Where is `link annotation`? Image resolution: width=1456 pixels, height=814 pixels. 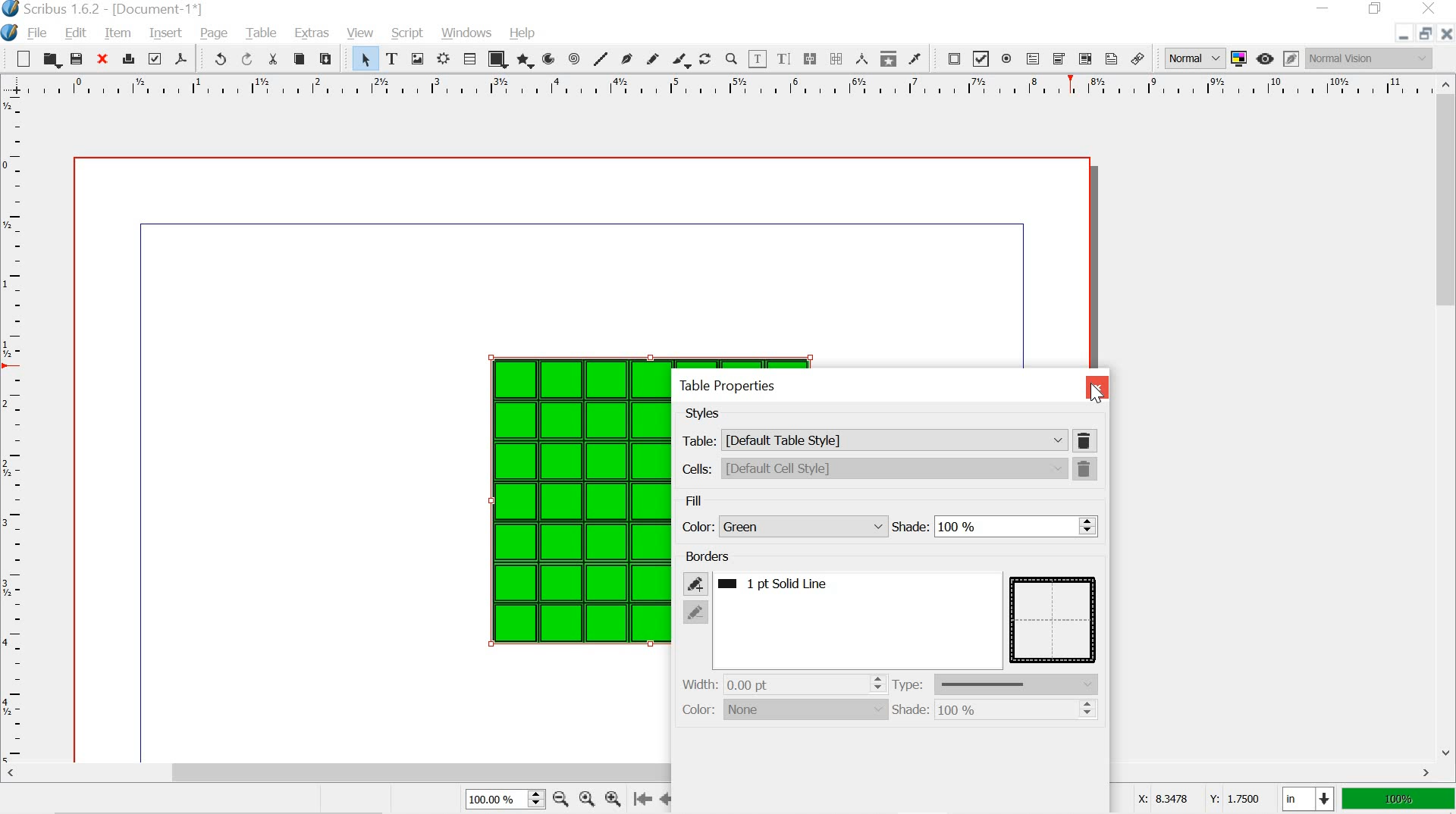
link annotation is located at coordinates (1137, 58).